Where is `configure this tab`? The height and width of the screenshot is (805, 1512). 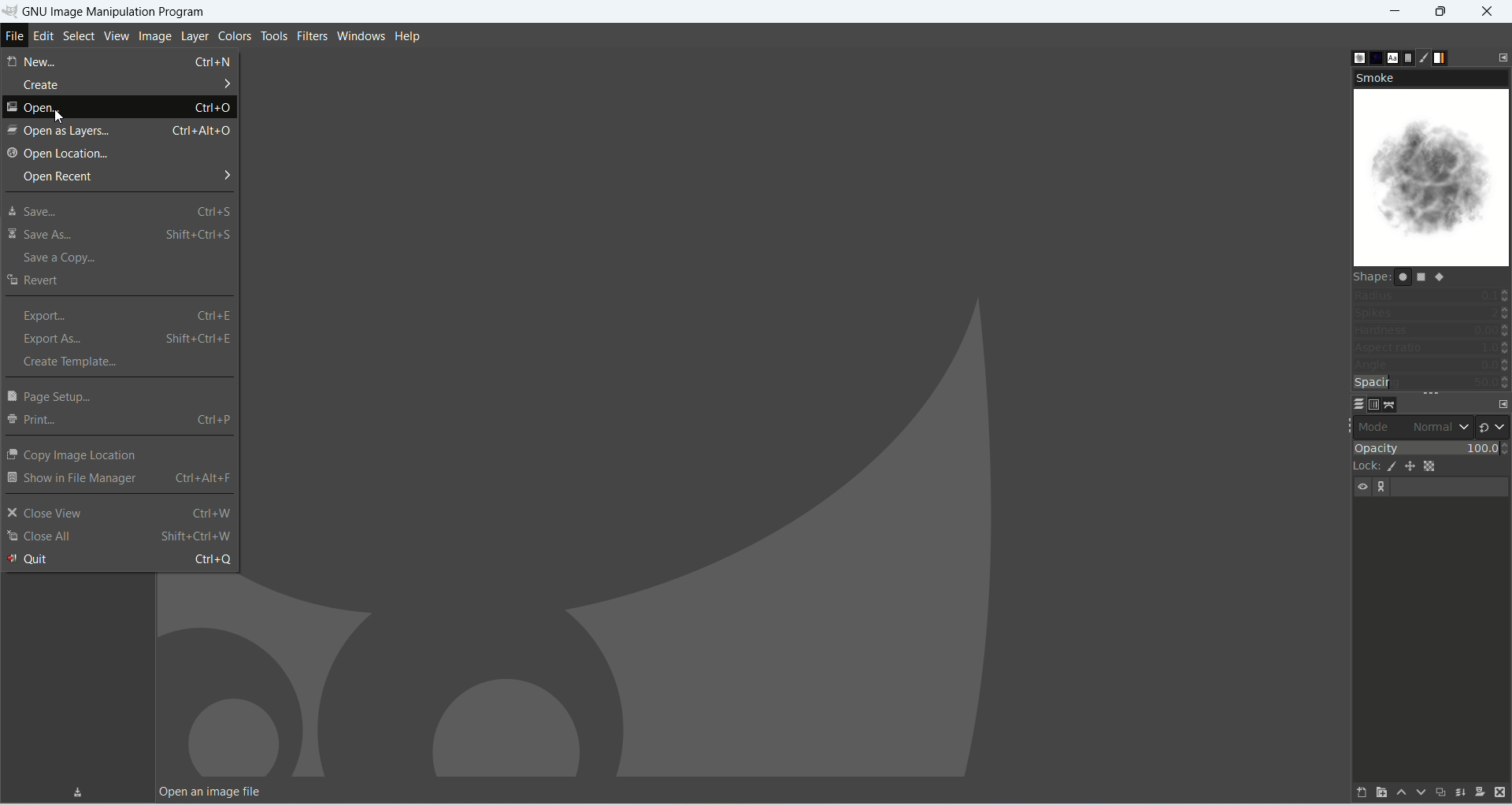
configure this tab is located at coordinates (1502, 403).